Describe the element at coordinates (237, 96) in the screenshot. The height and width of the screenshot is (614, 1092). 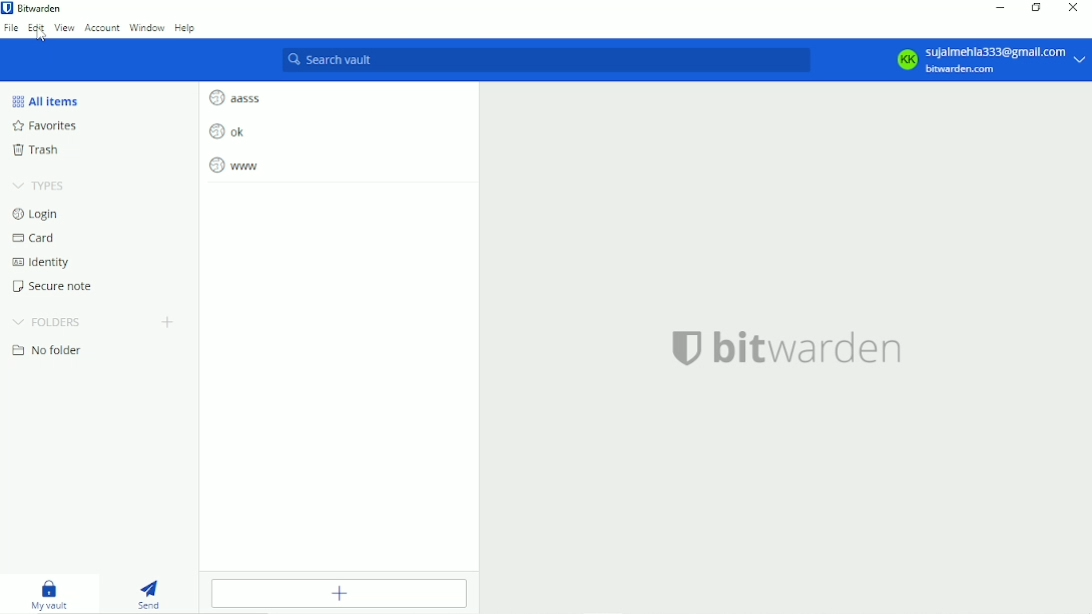
I see `aasss` at that location.